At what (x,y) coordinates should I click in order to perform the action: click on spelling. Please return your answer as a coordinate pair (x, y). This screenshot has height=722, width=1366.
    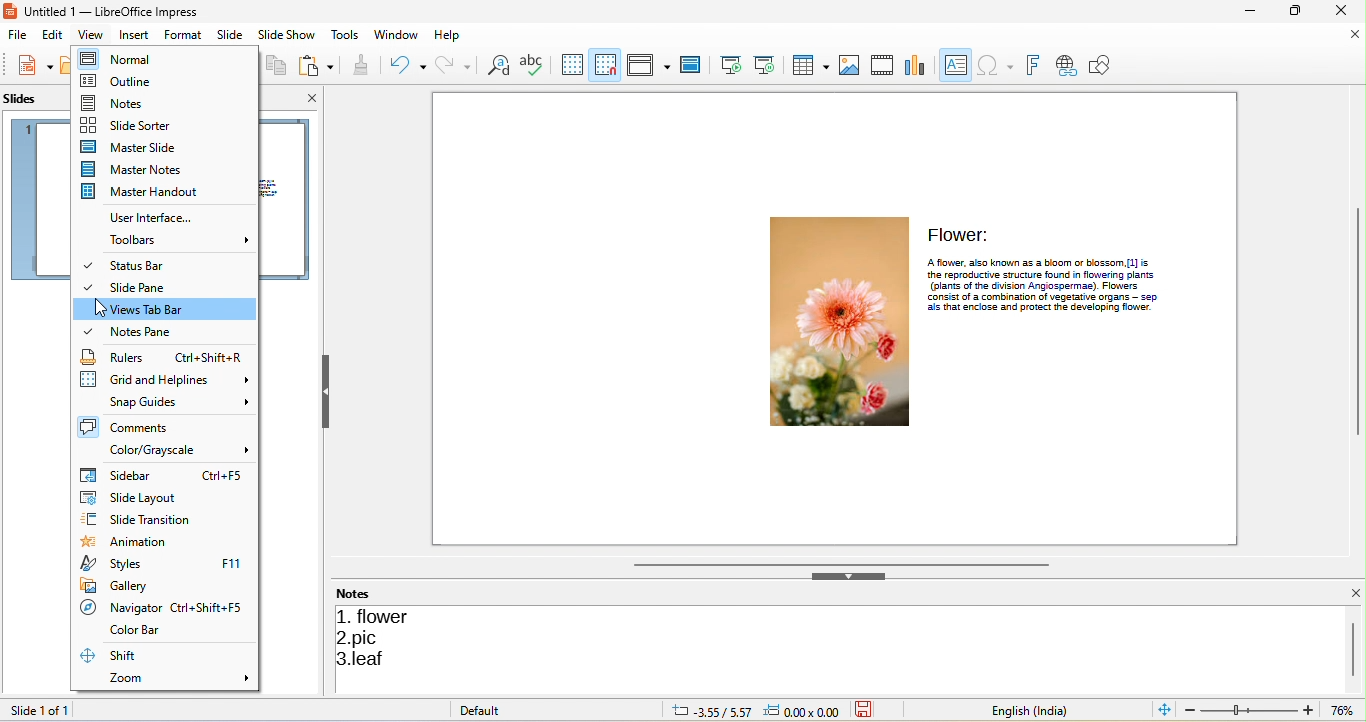
    Looking at the image, I should click on (531, 65).